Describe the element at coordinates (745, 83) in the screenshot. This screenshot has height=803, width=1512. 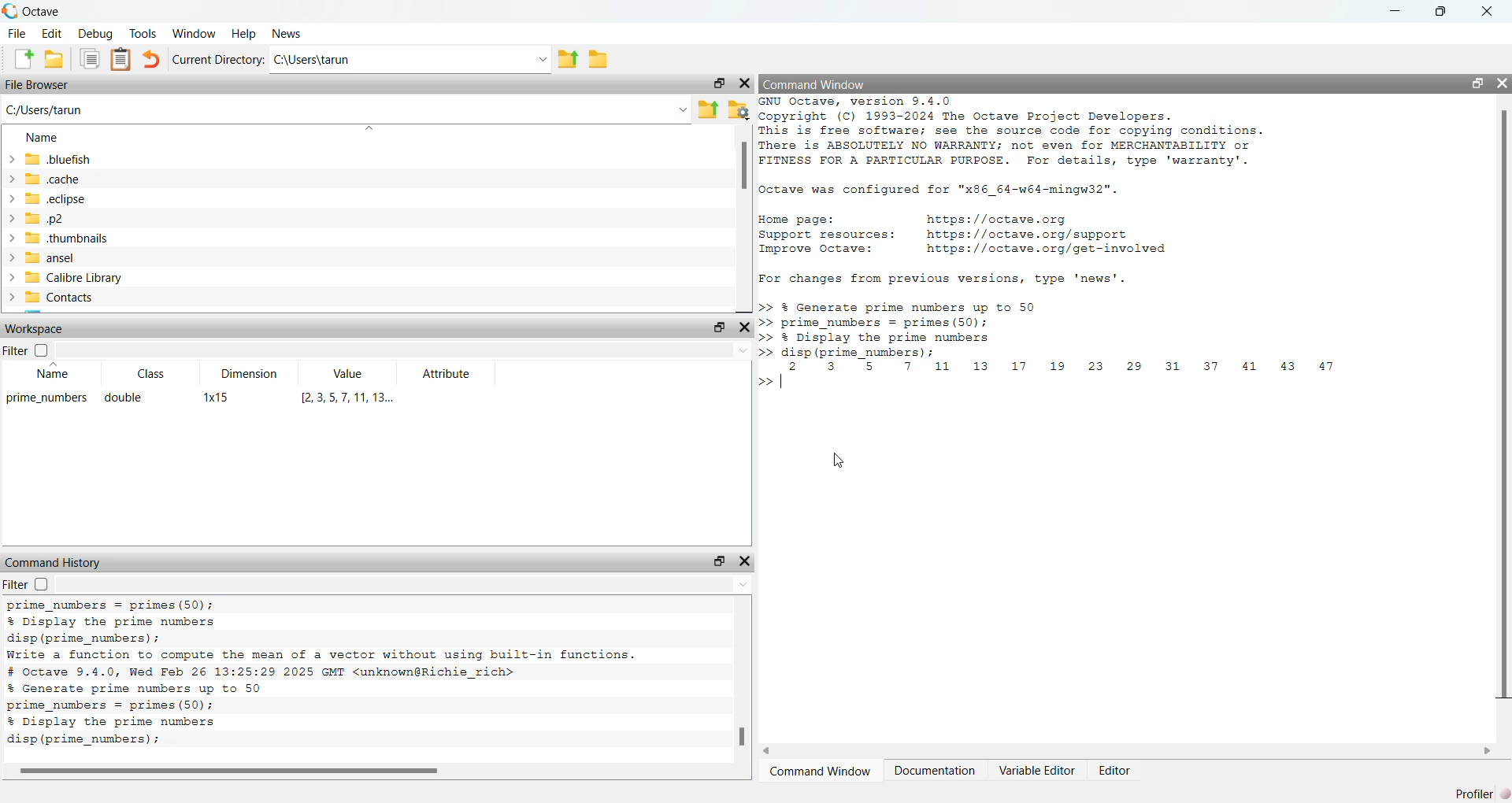
I see `close` at that location.